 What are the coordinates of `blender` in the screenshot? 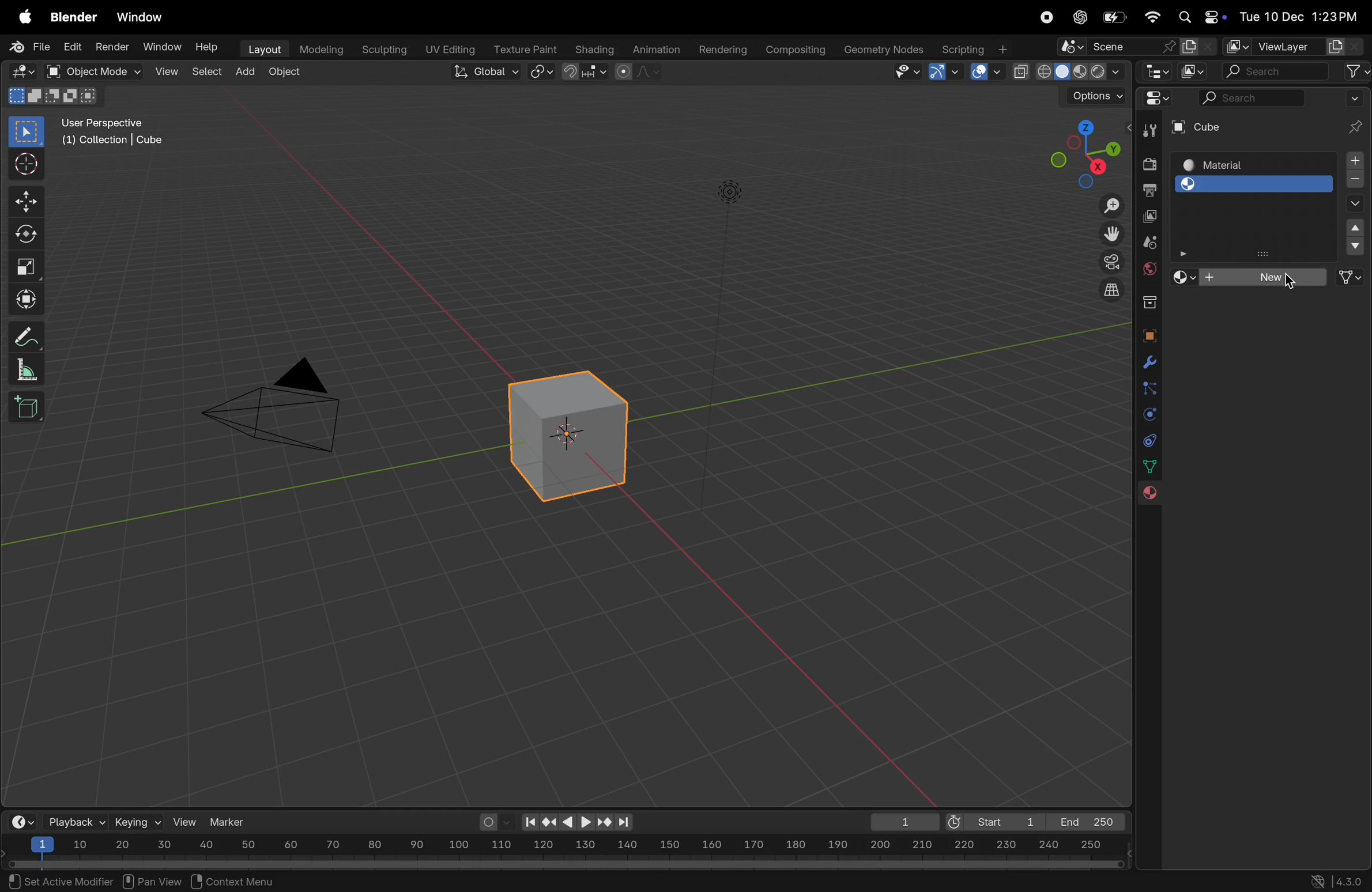 It's located at (74, 18).